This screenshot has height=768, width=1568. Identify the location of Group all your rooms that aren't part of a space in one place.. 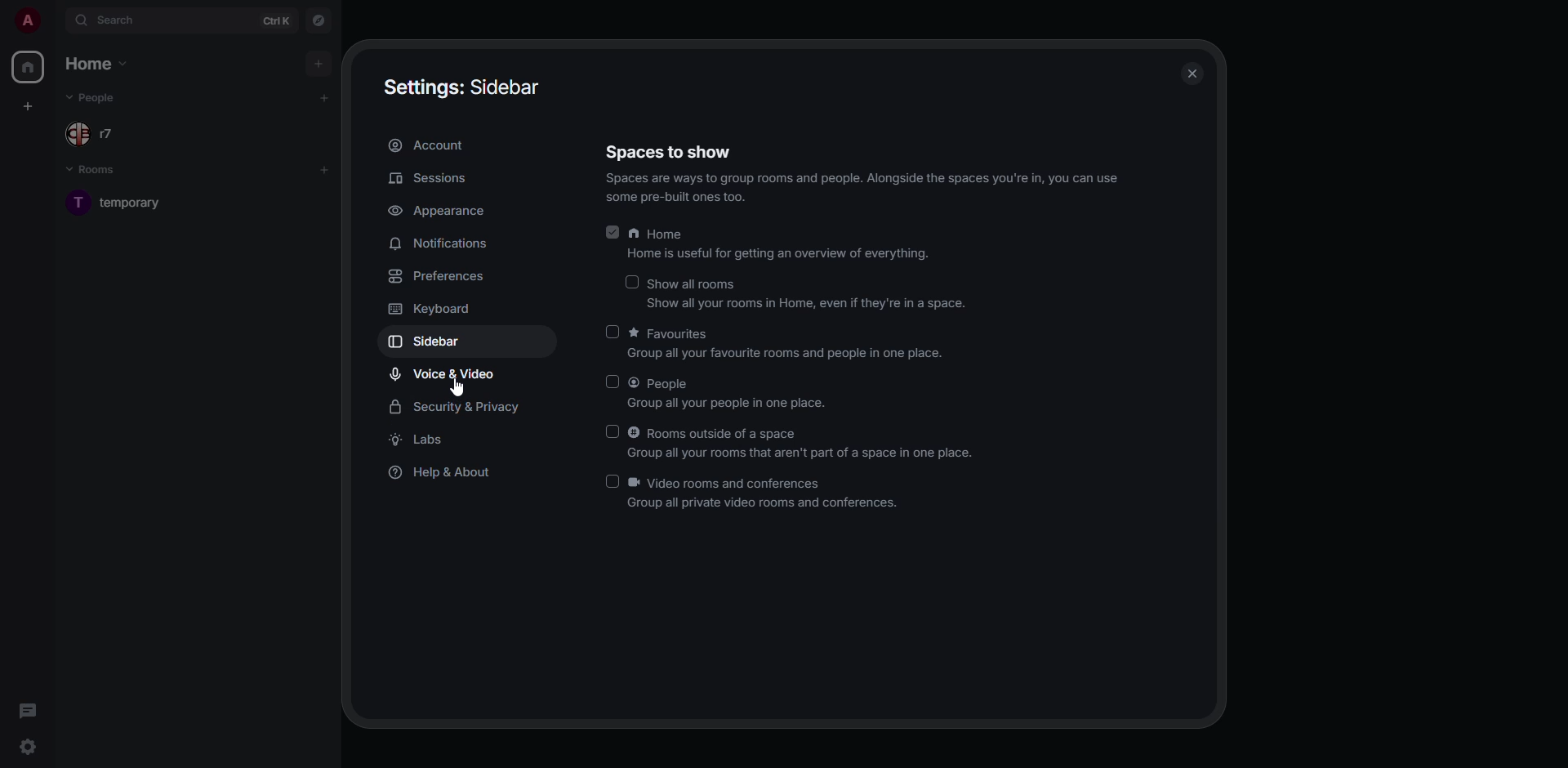
(782, 456).